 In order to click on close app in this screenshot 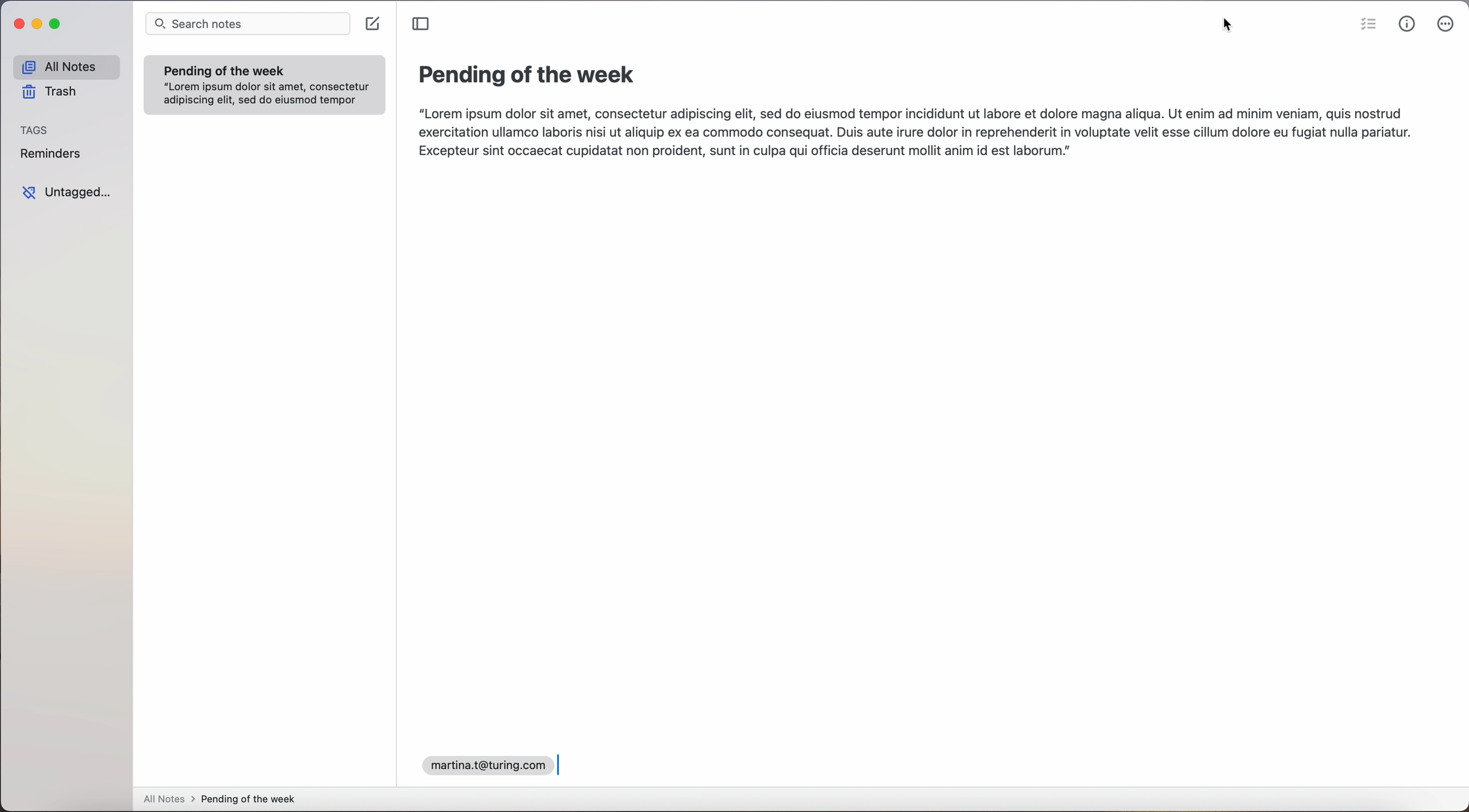, I will do `click(15, 25)`.